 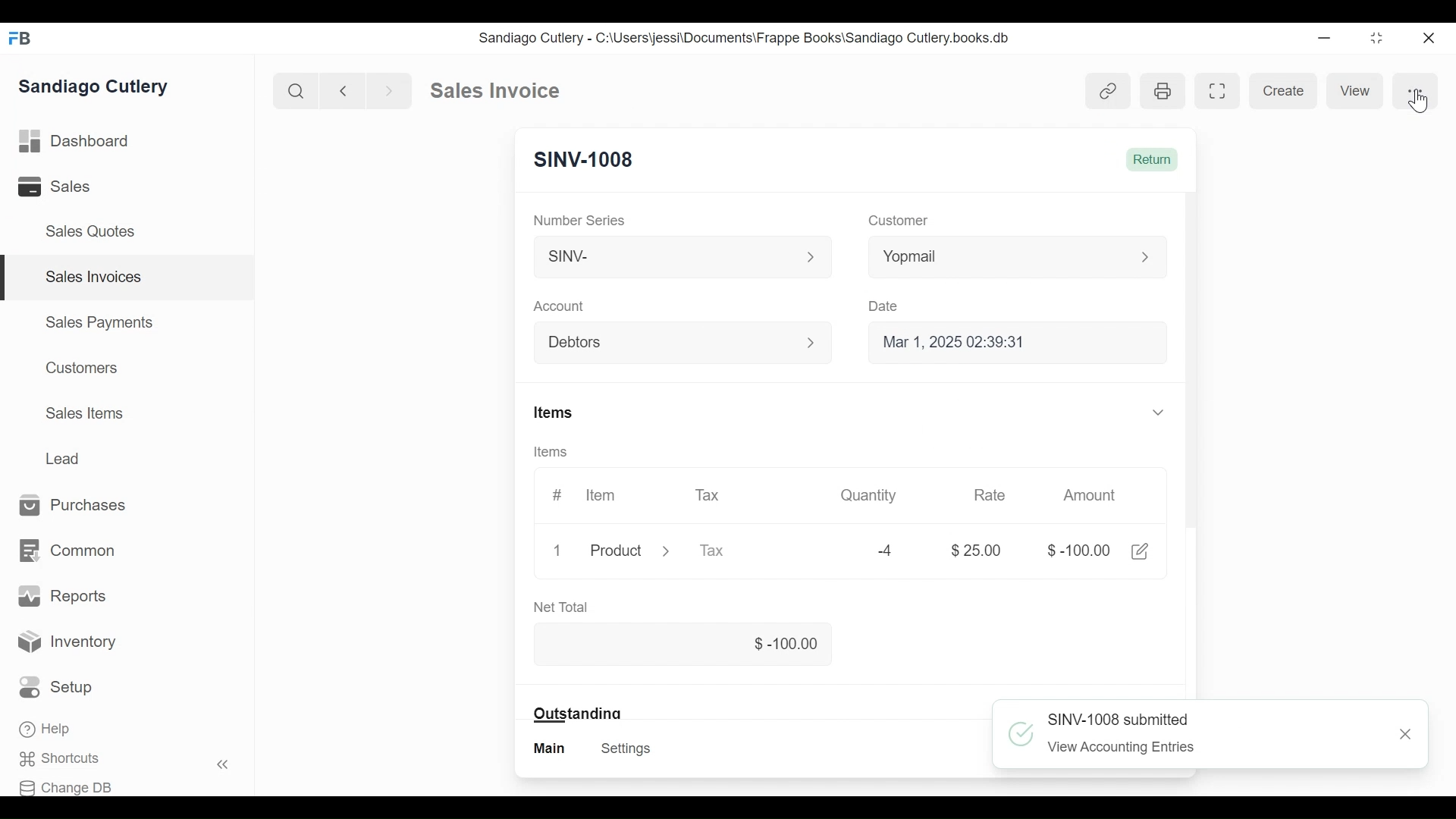 I want to click on Toggle between form and full width, so click(x=1216, y=91).